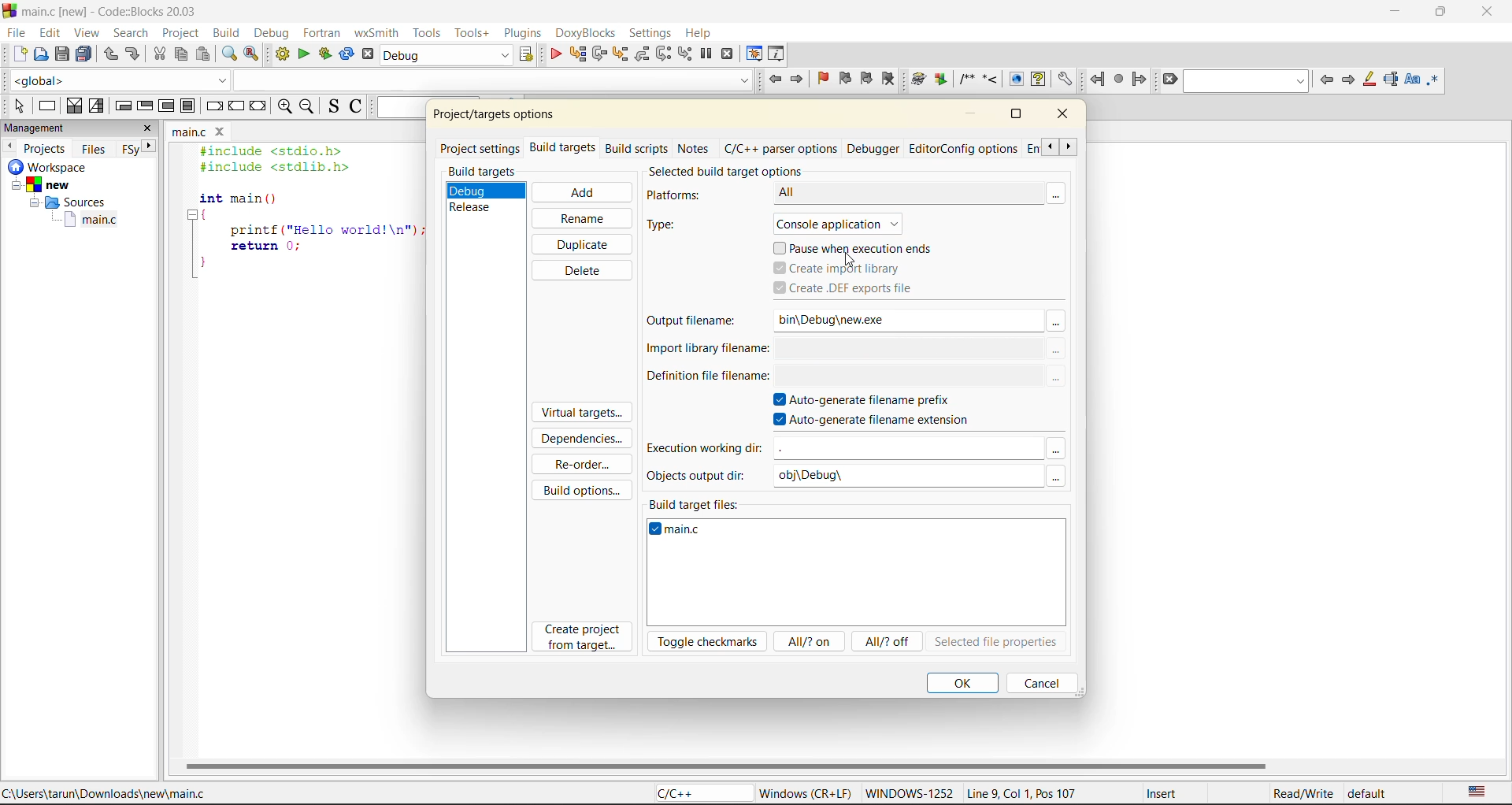 This screenshot has width=1512, height=805. Describe the element at coordinates (333, 106) in the screenshot. I see `toggle source` at that location.